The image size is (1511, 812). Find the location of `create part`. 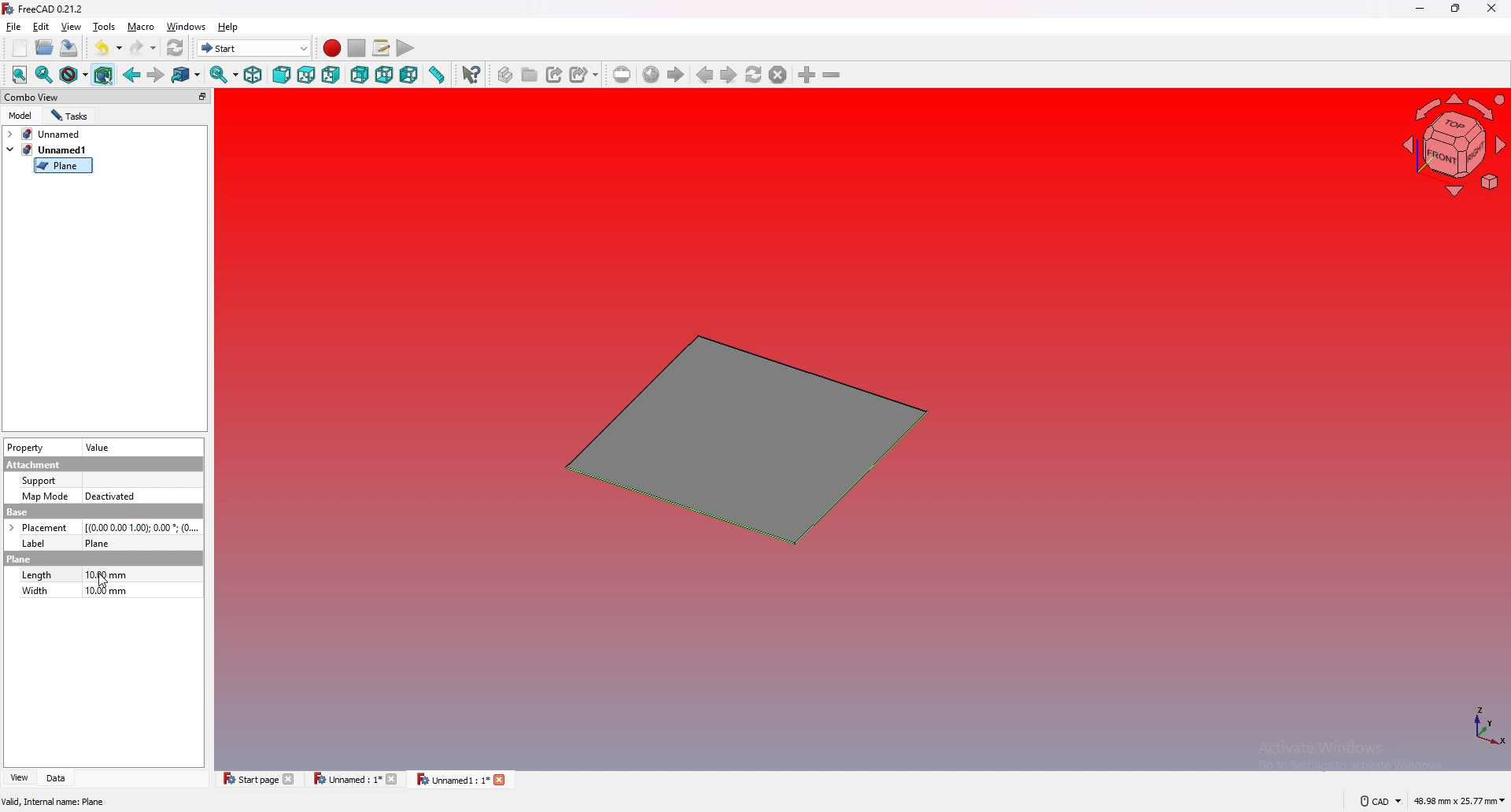

create part is located at coordinates (507, 75).